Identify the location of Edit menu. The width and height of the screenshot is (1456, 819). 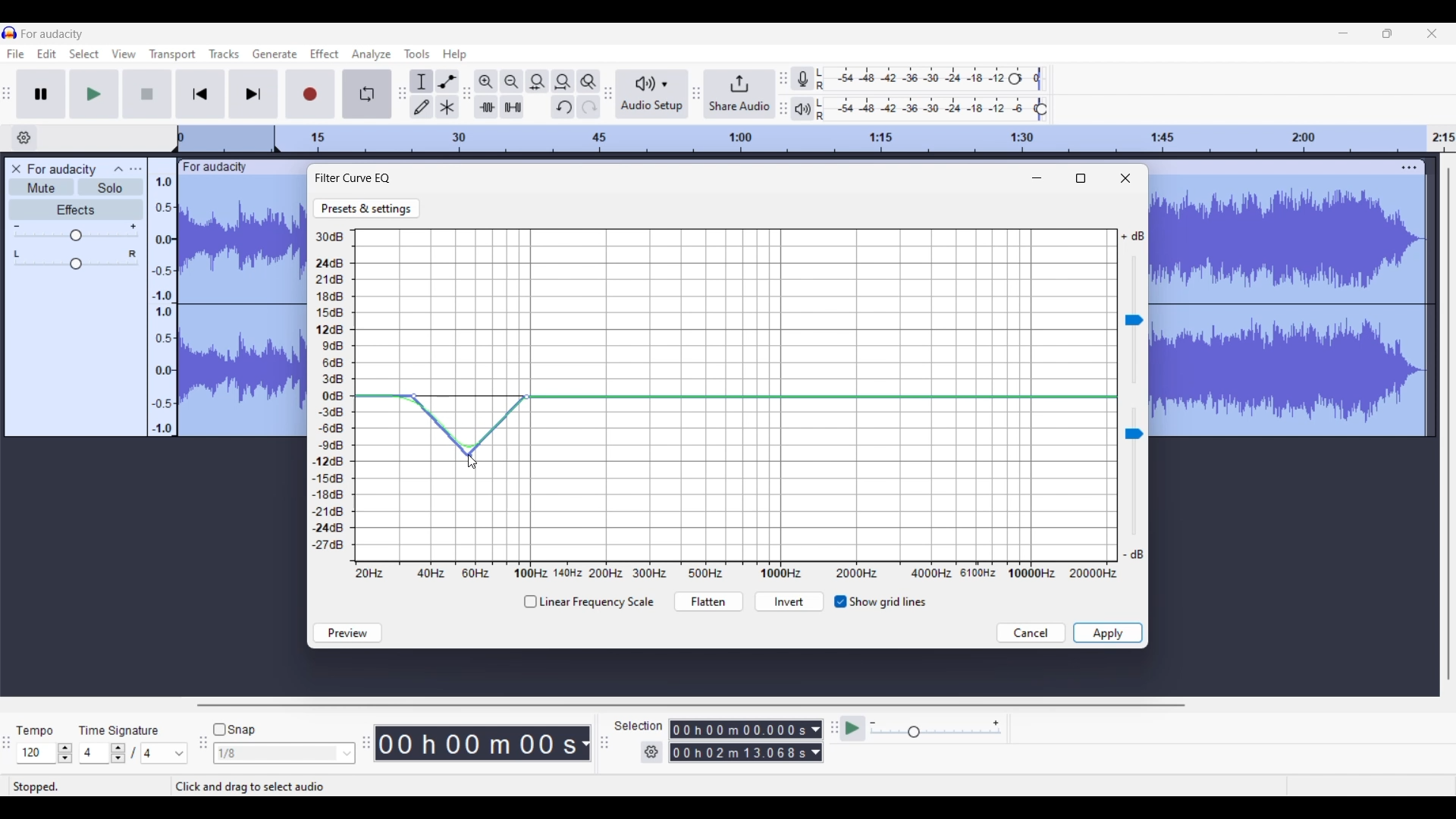
(47, 55).